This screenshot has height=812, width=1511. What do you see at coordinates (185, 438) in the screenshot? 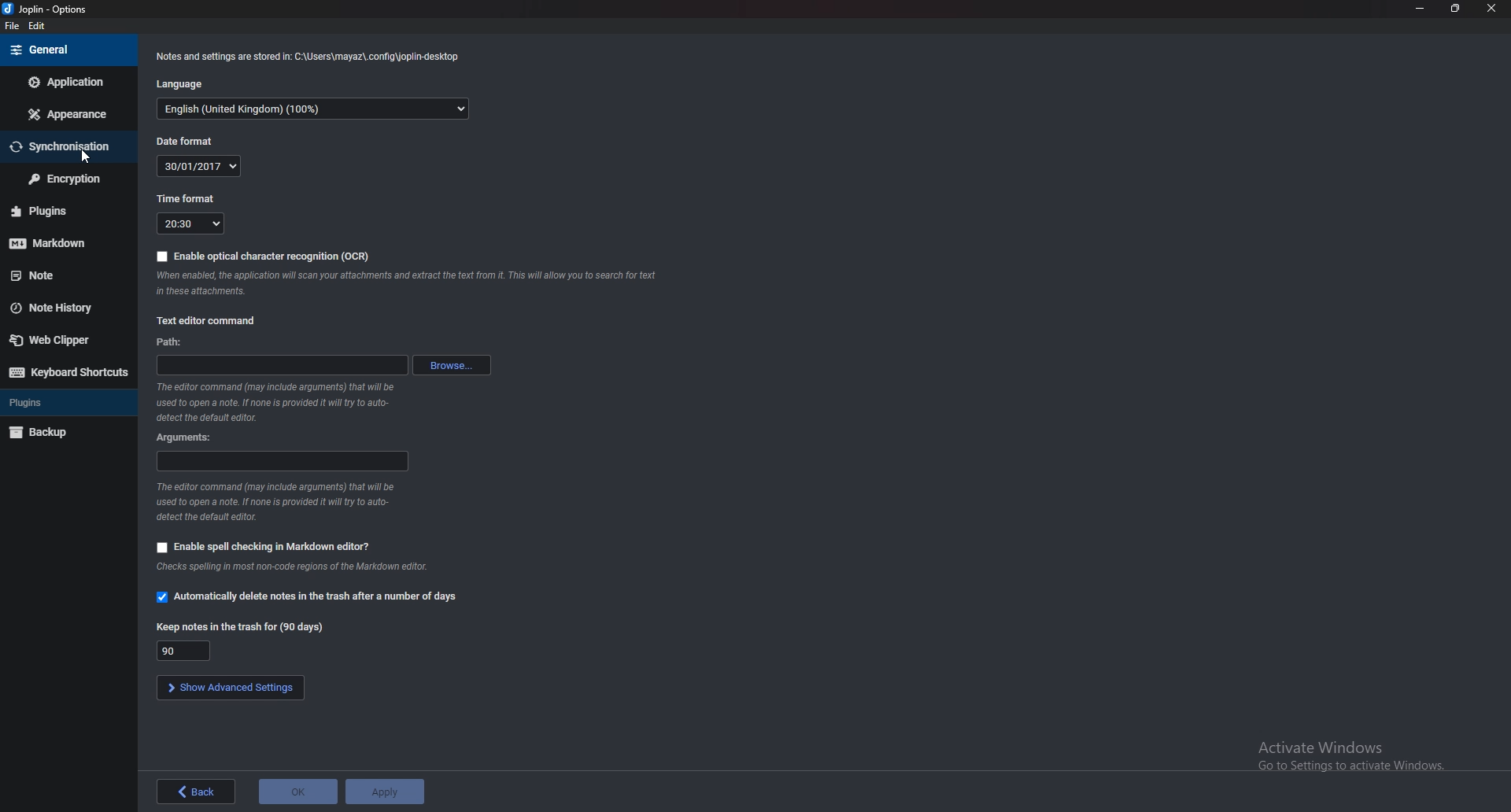
I see `arguments` at bounding box center [185, 438].